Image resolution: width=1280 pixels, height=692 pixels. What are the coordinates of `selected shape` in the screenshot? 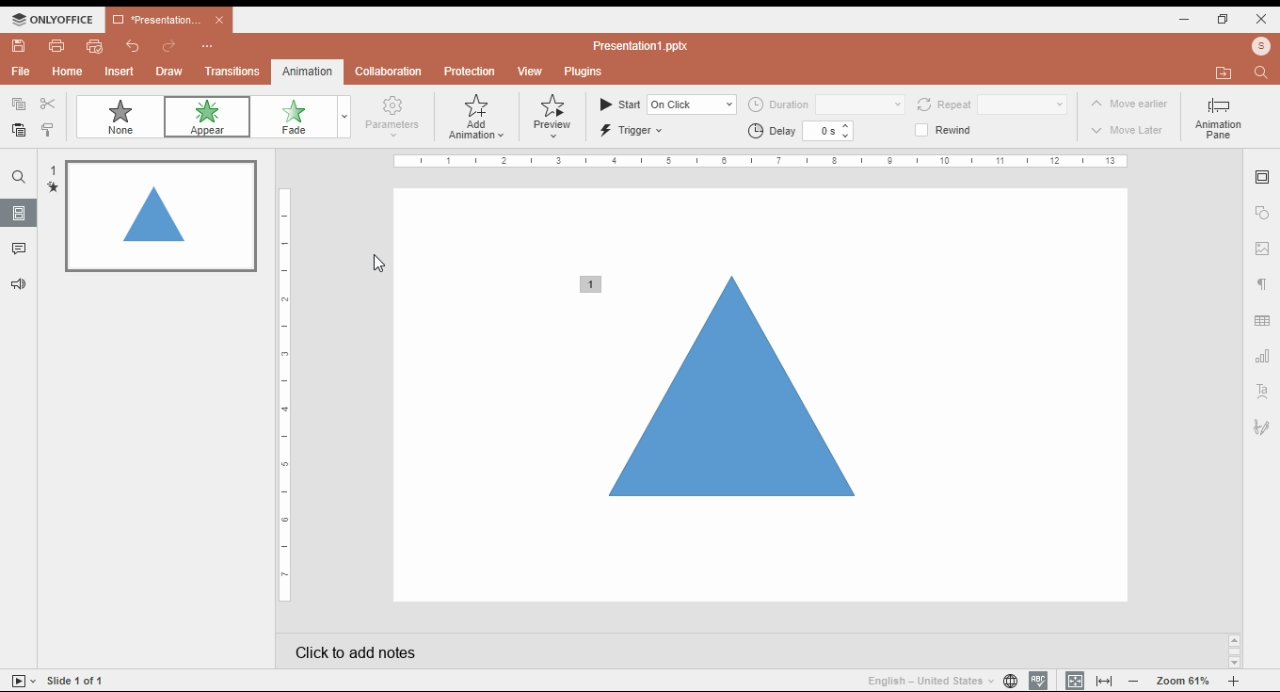 It's located at (744, 392).